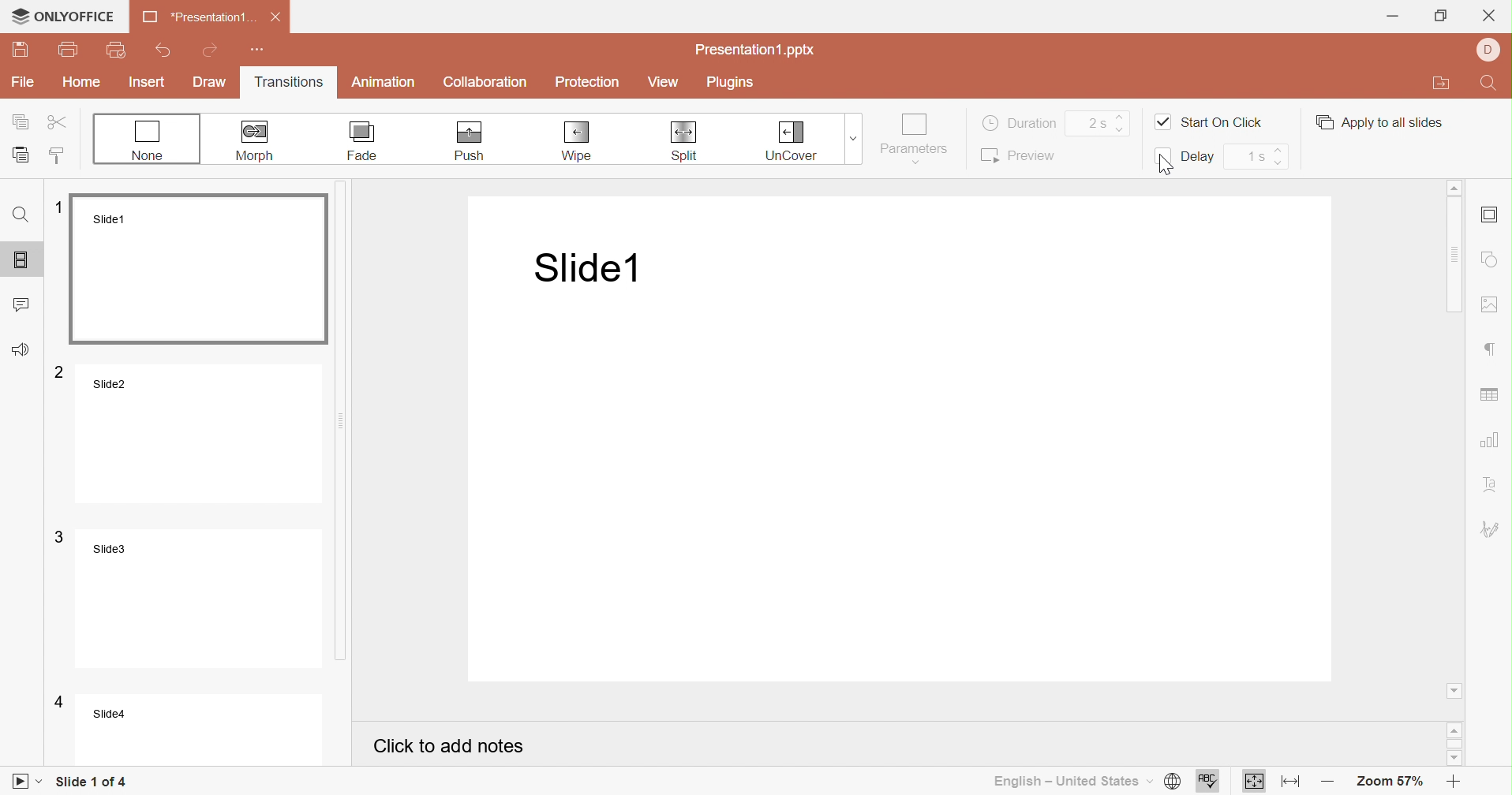 Image resolution: width=1512 pixels, height=795 pixels. I want to click on Home, so click(80, 81).